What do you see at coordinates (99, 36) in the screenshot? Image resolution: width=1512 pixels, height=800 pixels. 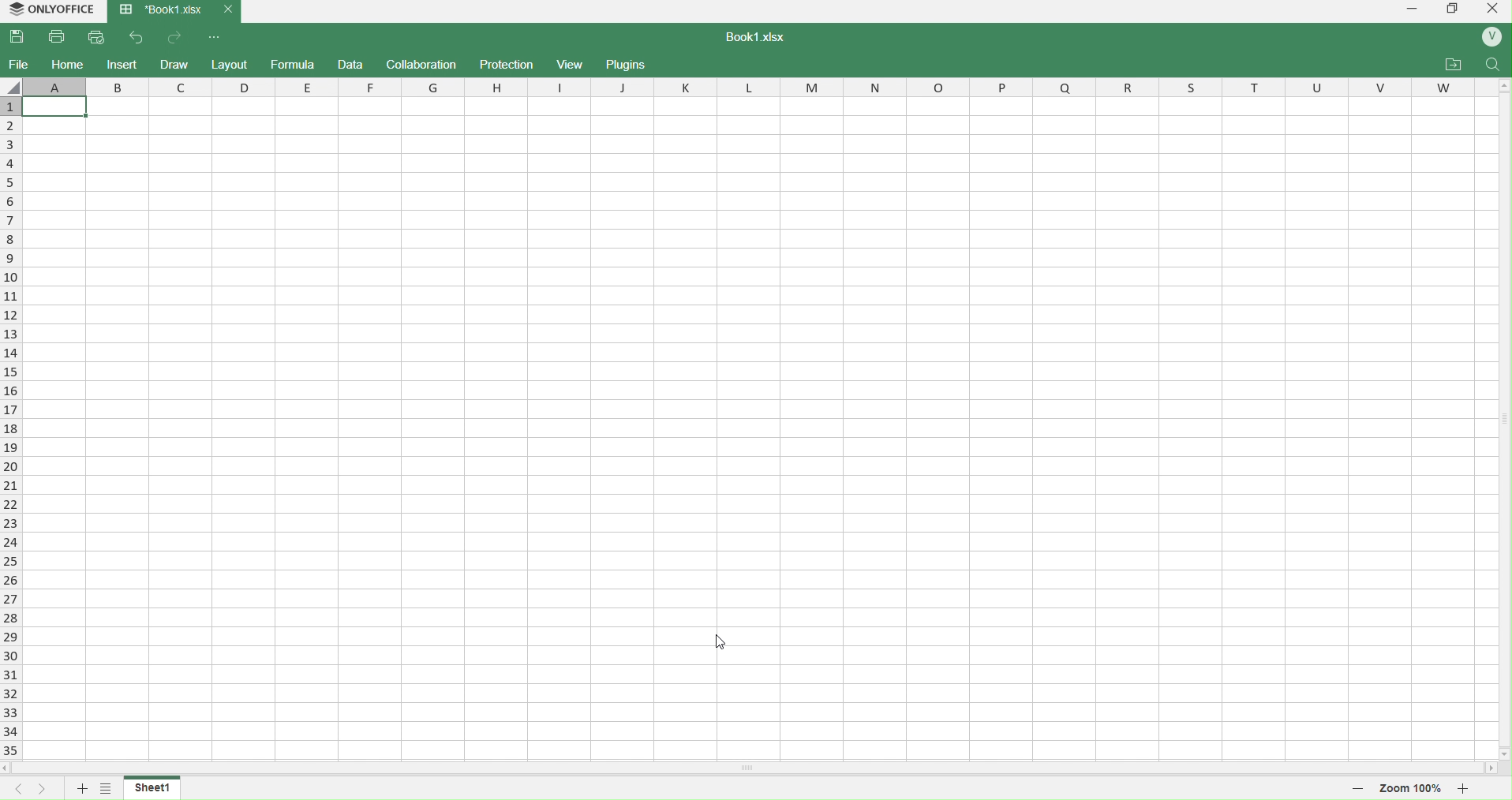 I see `quick print` at bounding box center [99, 36].